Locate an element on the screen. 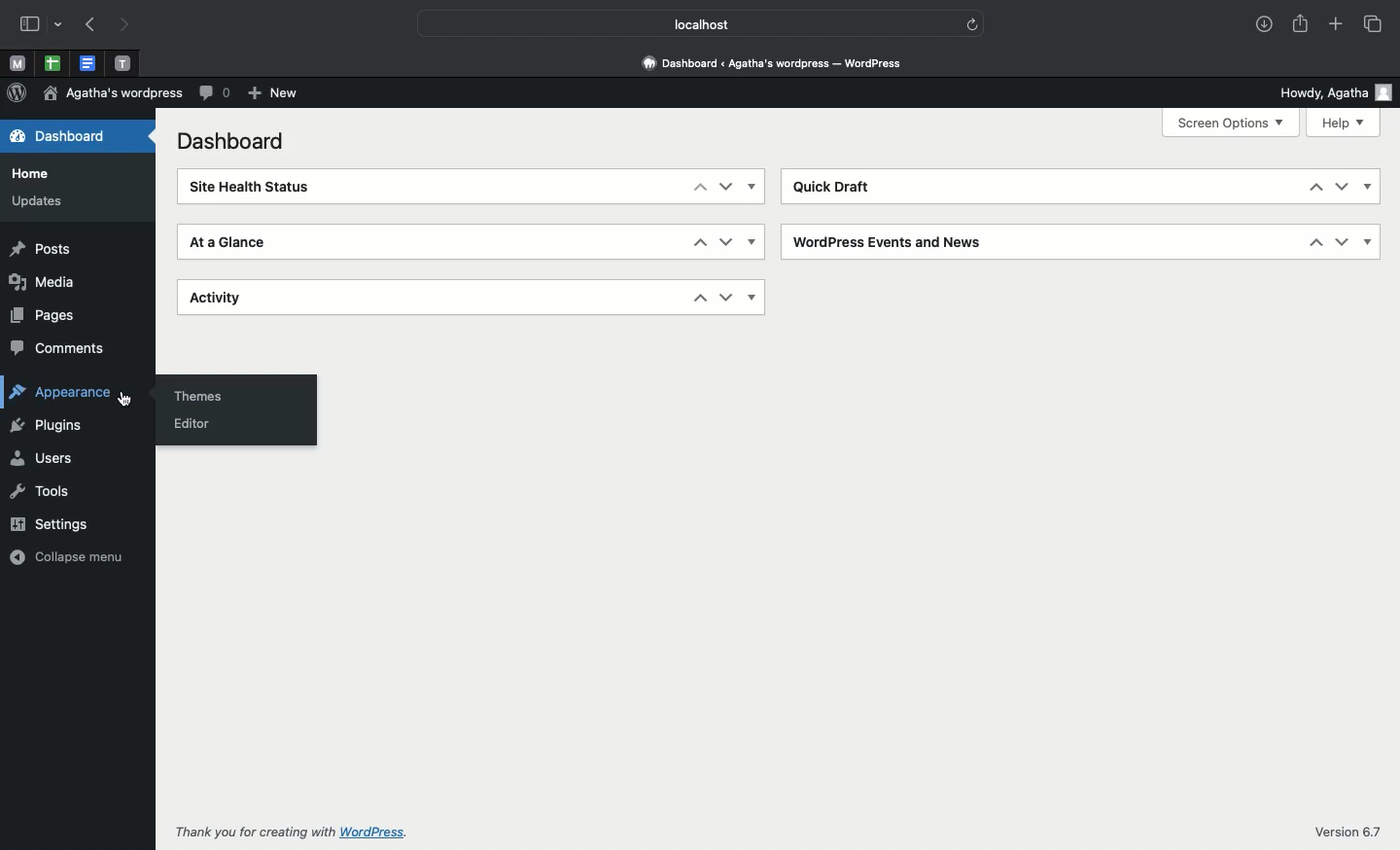 The height and width of the screenshot is (850, 1400). Comments is located at coordinates (60, 347).